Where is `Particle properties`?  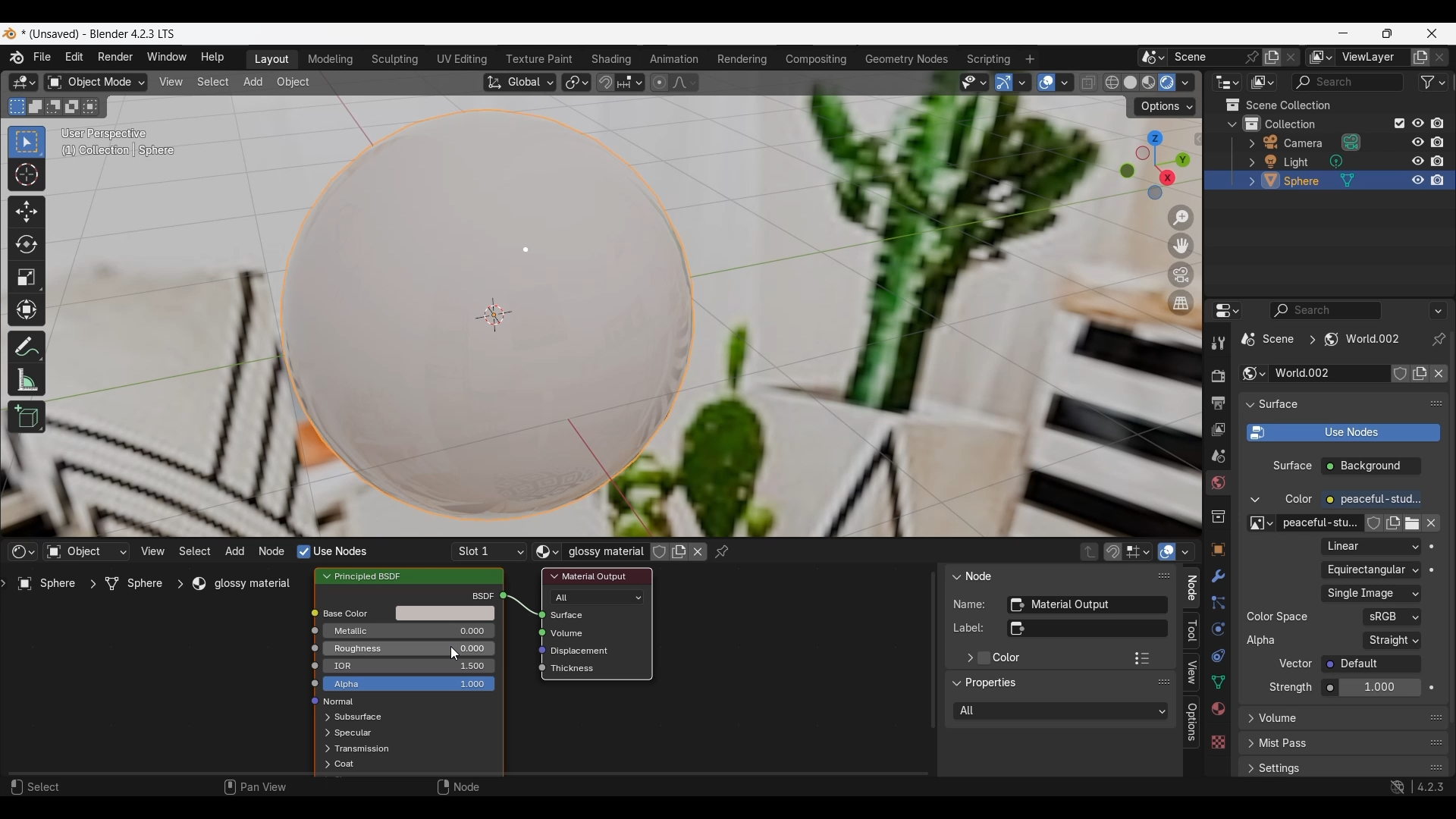
Particle properties is located at coordinates (1217, 603).